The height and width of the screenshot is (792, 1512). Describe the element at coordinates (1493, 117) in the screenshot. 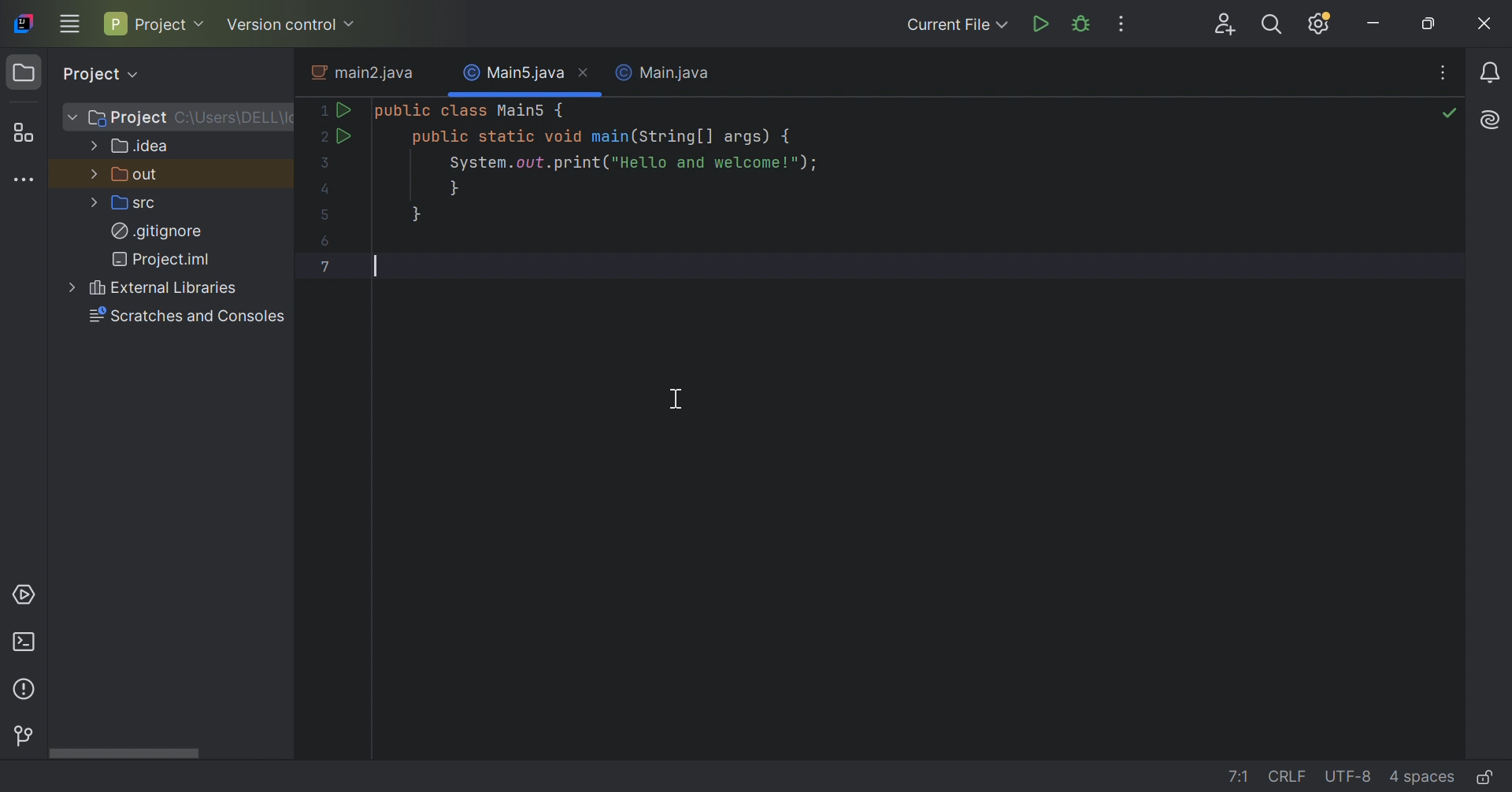

I see `AI Assistant` at that location.